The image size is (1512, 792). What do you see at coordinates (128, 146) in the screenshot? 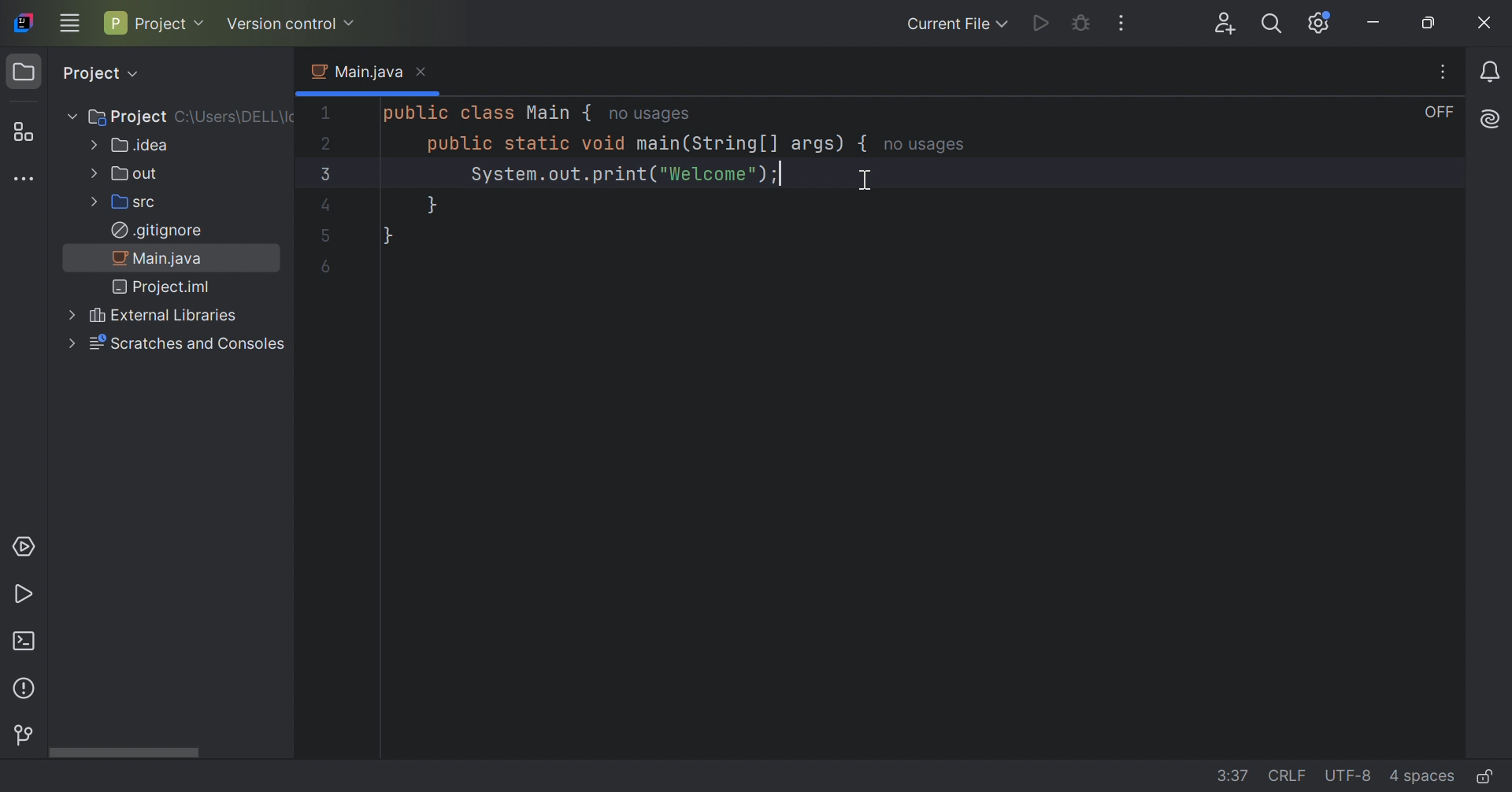
I see `Idea` at bounding box center [128, 146].